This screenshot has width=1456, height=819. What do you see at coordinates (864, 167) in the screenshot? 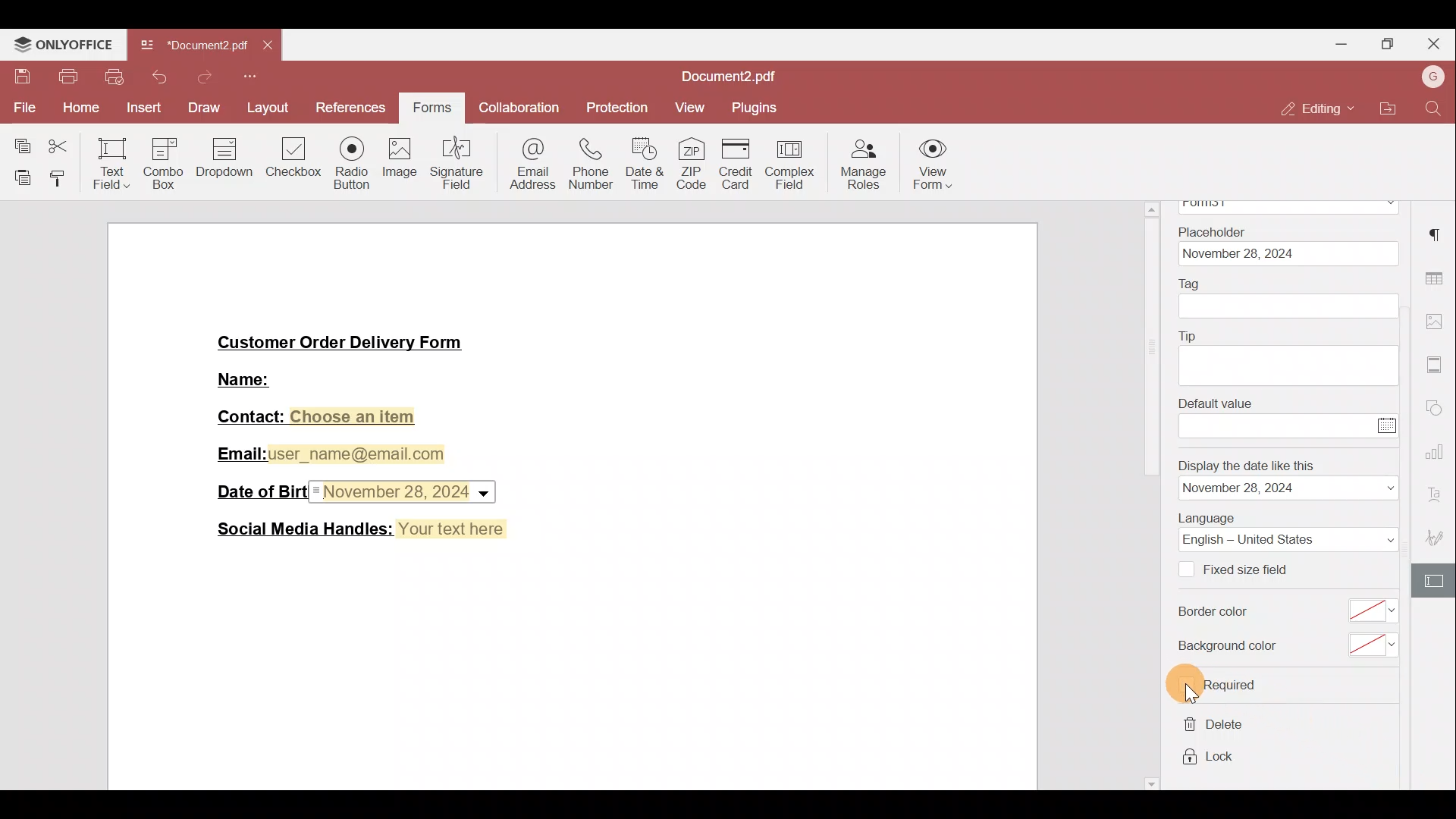
I see `Manage roles` at bounding box center [864, 167].